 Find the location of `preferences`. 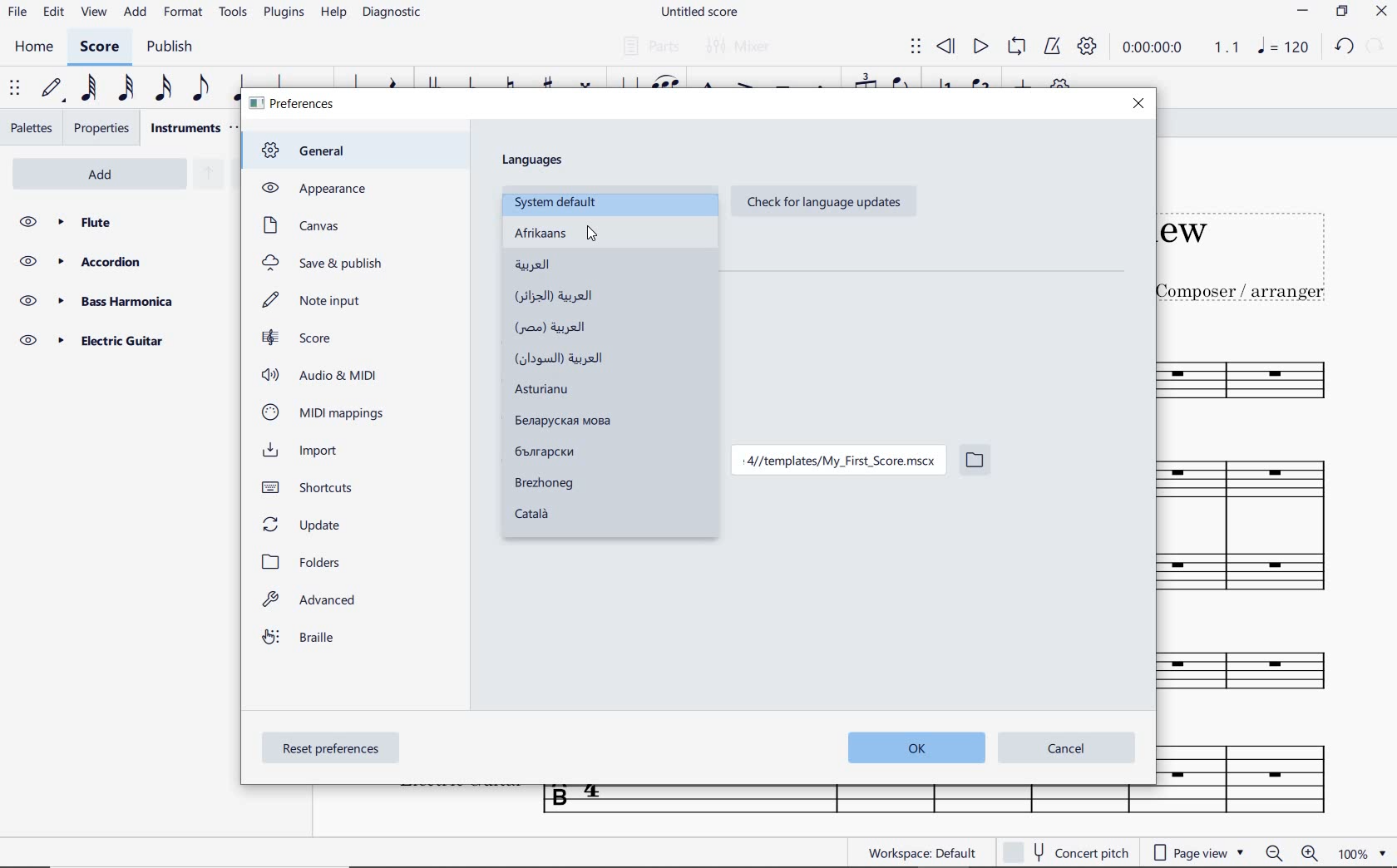

preferences is located at coordinates (294, 105).